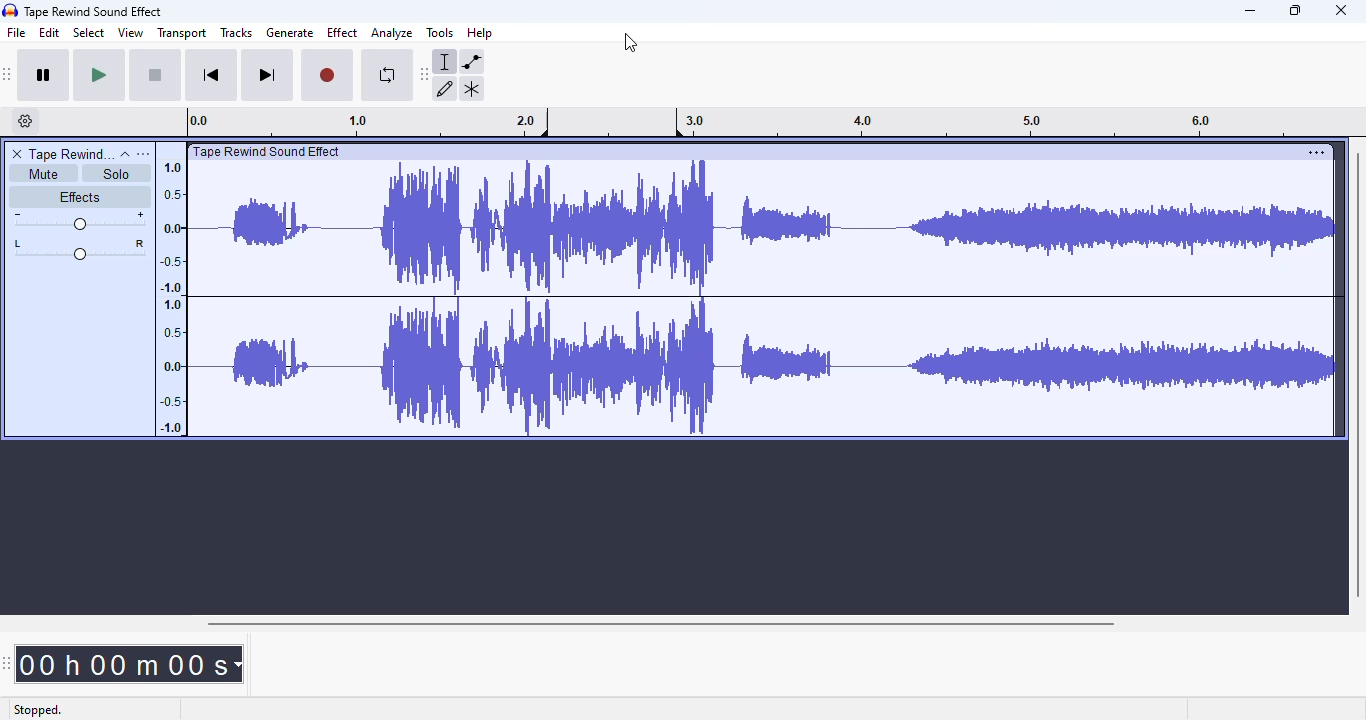 This screenshot has height=720, width=1366. I want to click on solo, so click(118, 174).